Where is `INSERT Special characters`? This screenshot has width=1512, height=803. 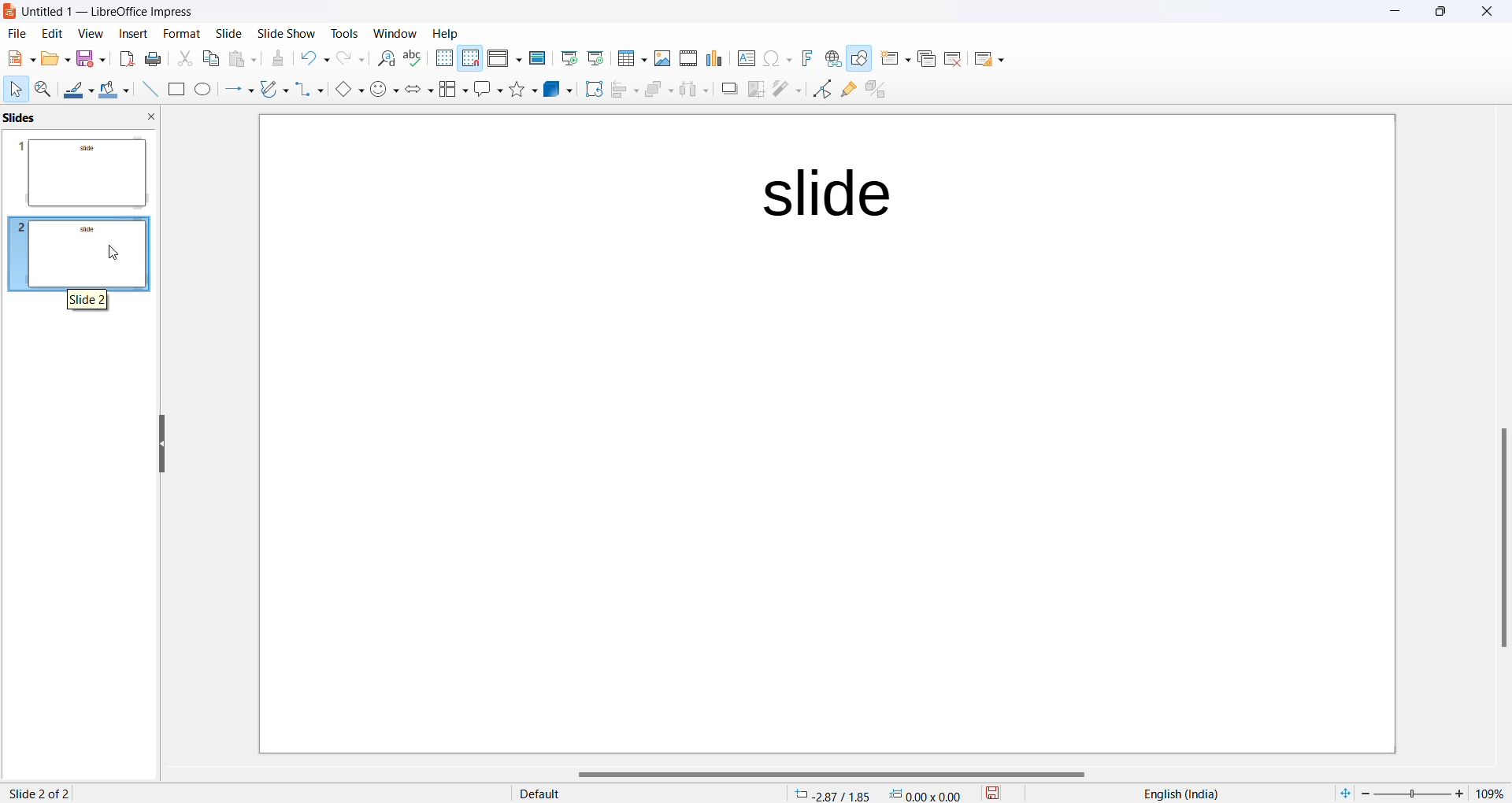
INSERT Special characters is located at coordinates (774, 58).